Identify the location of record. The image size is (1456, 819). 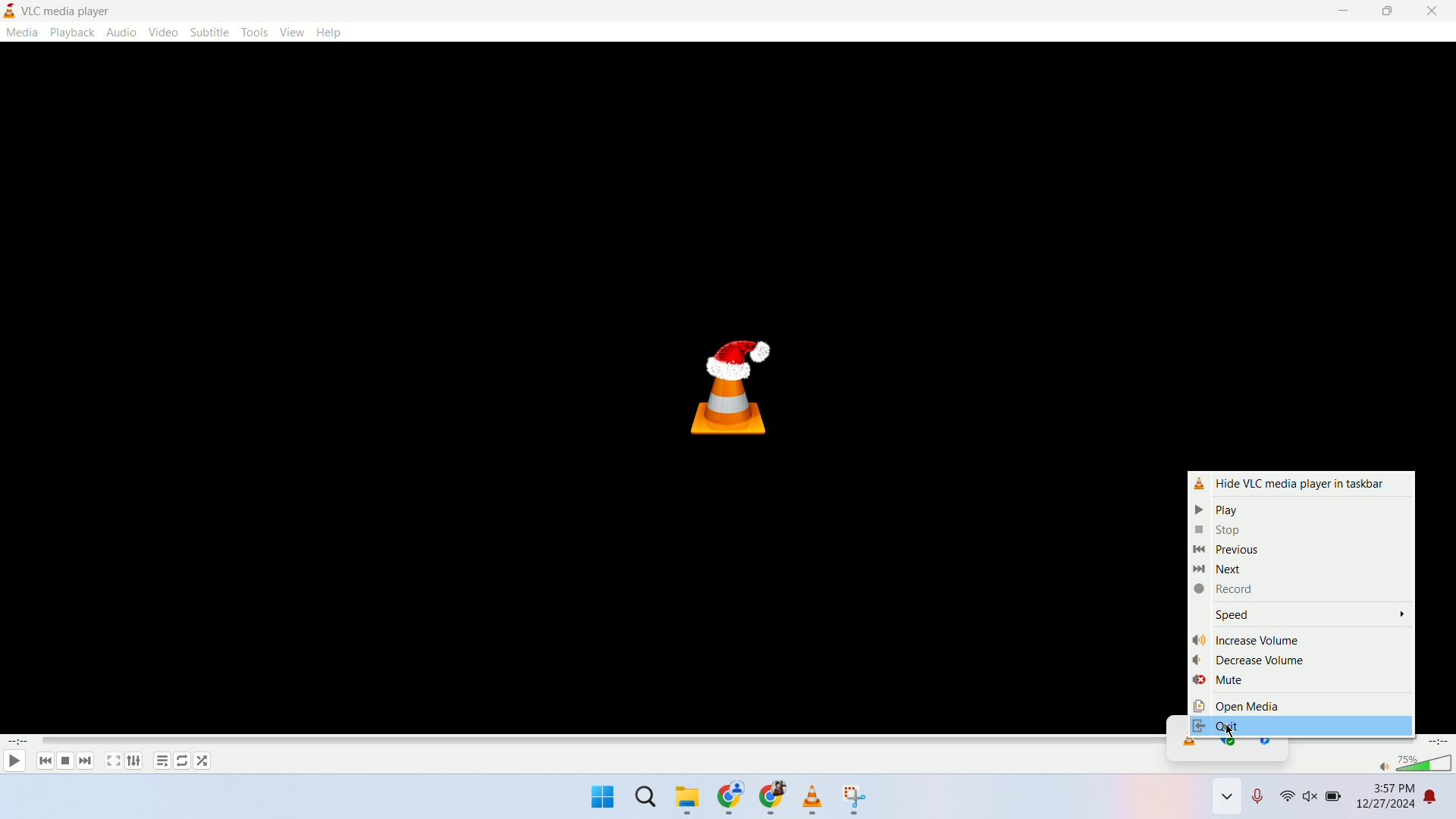
(1301, 590).